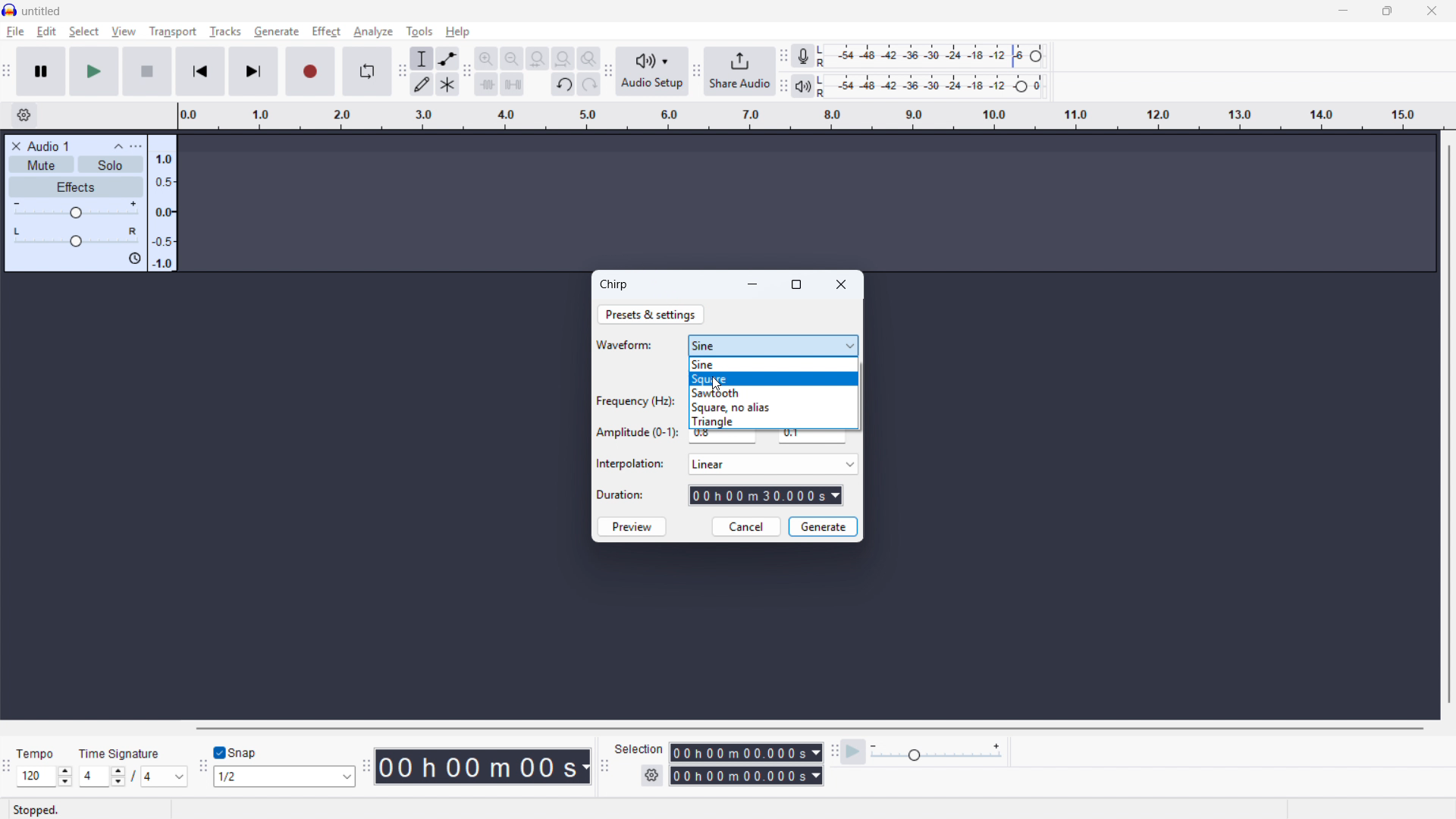 The width and height of the screenshot is (1456, 819). I want to click on Playback metre , so click(803, 86).